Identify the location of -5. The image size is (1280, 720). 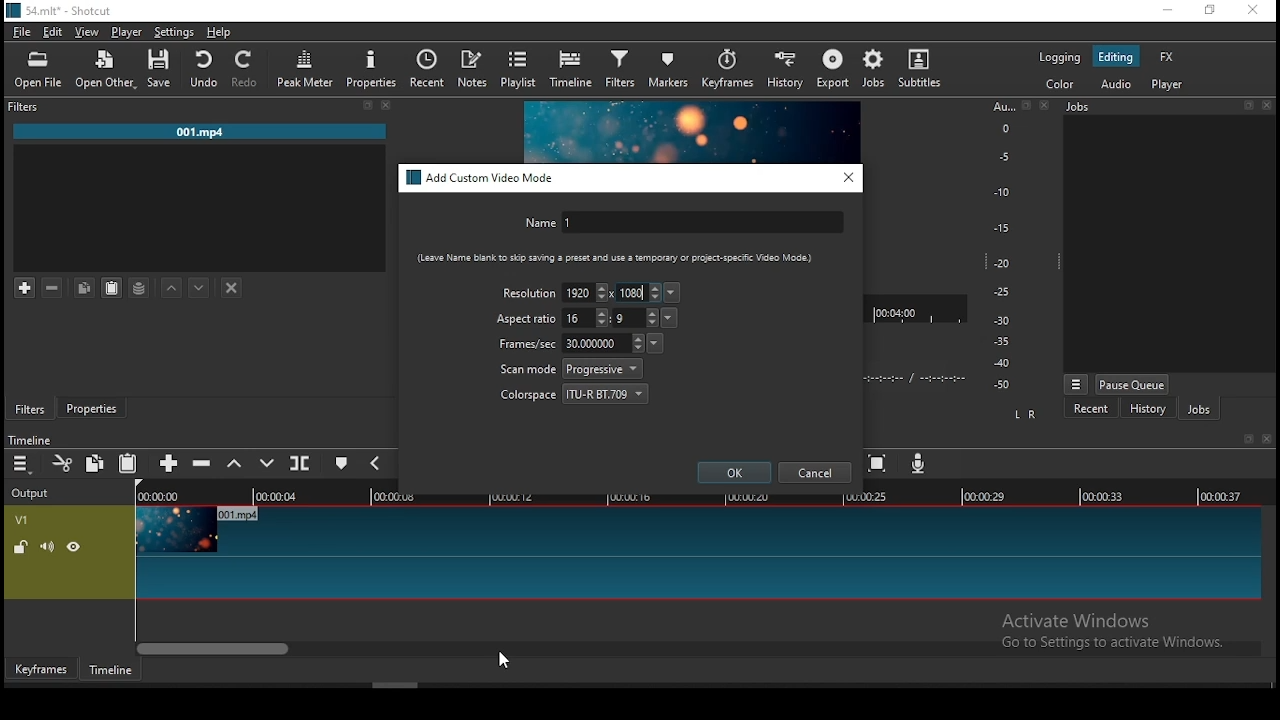
(1002, 155).